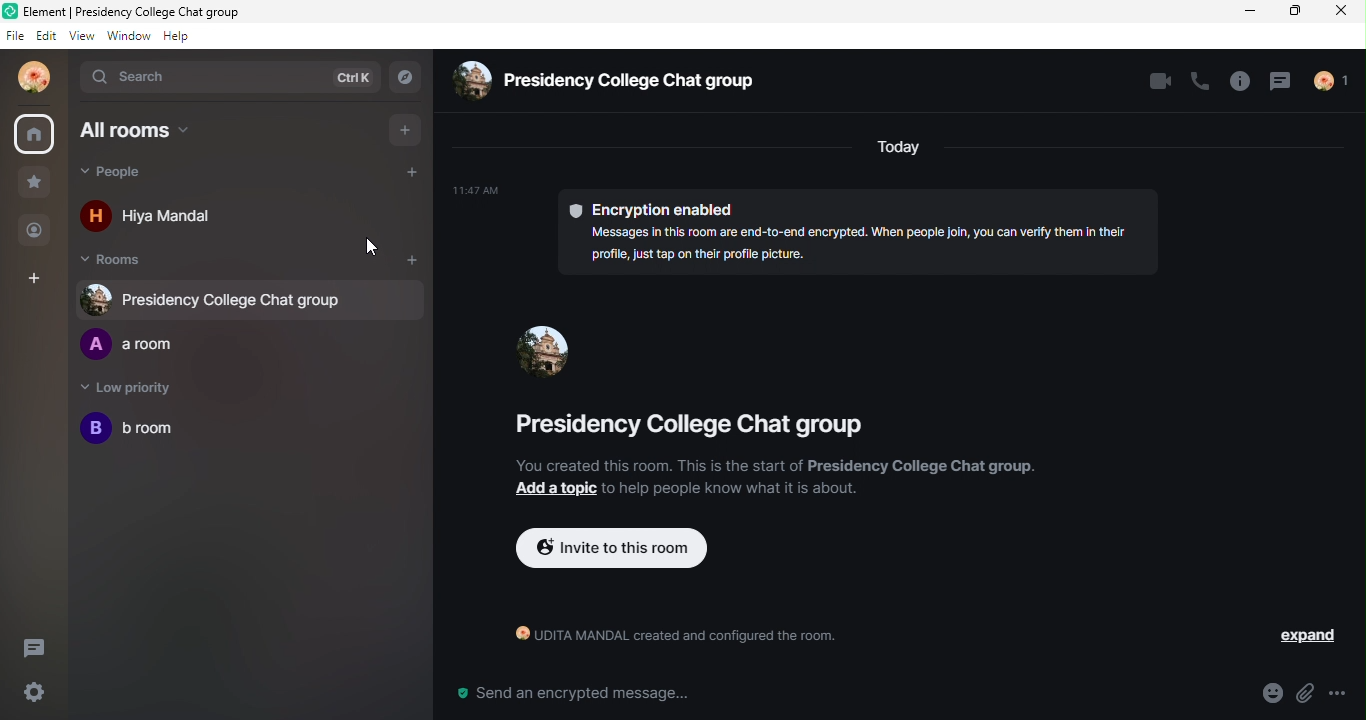  What do you see at coordinates (1344, 17) in the screenshot?
I see `close` at bounding box center [1344, 17].